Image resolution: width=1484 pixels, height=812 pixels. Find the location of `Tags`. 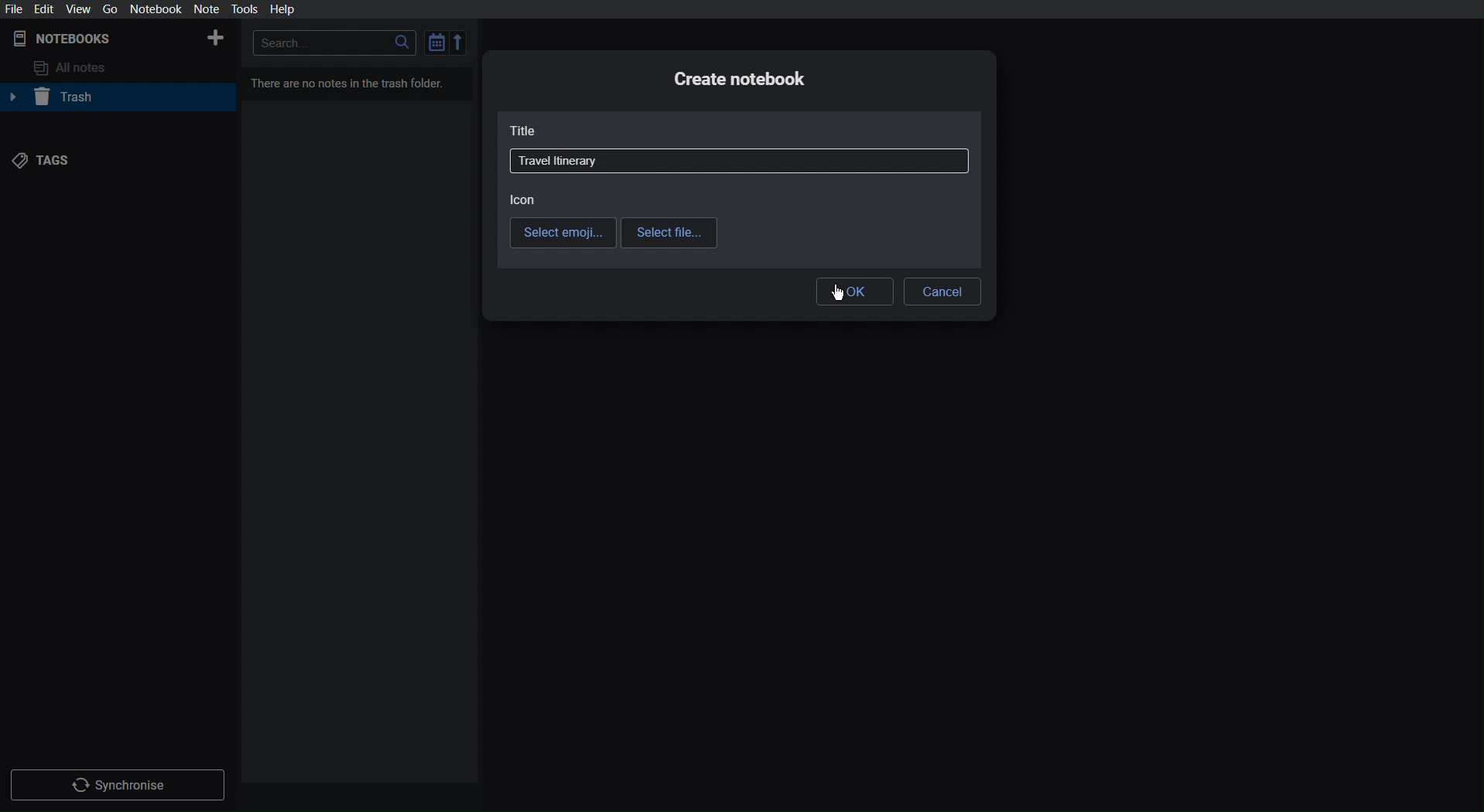

Tags is located at coordinates (41, 162).